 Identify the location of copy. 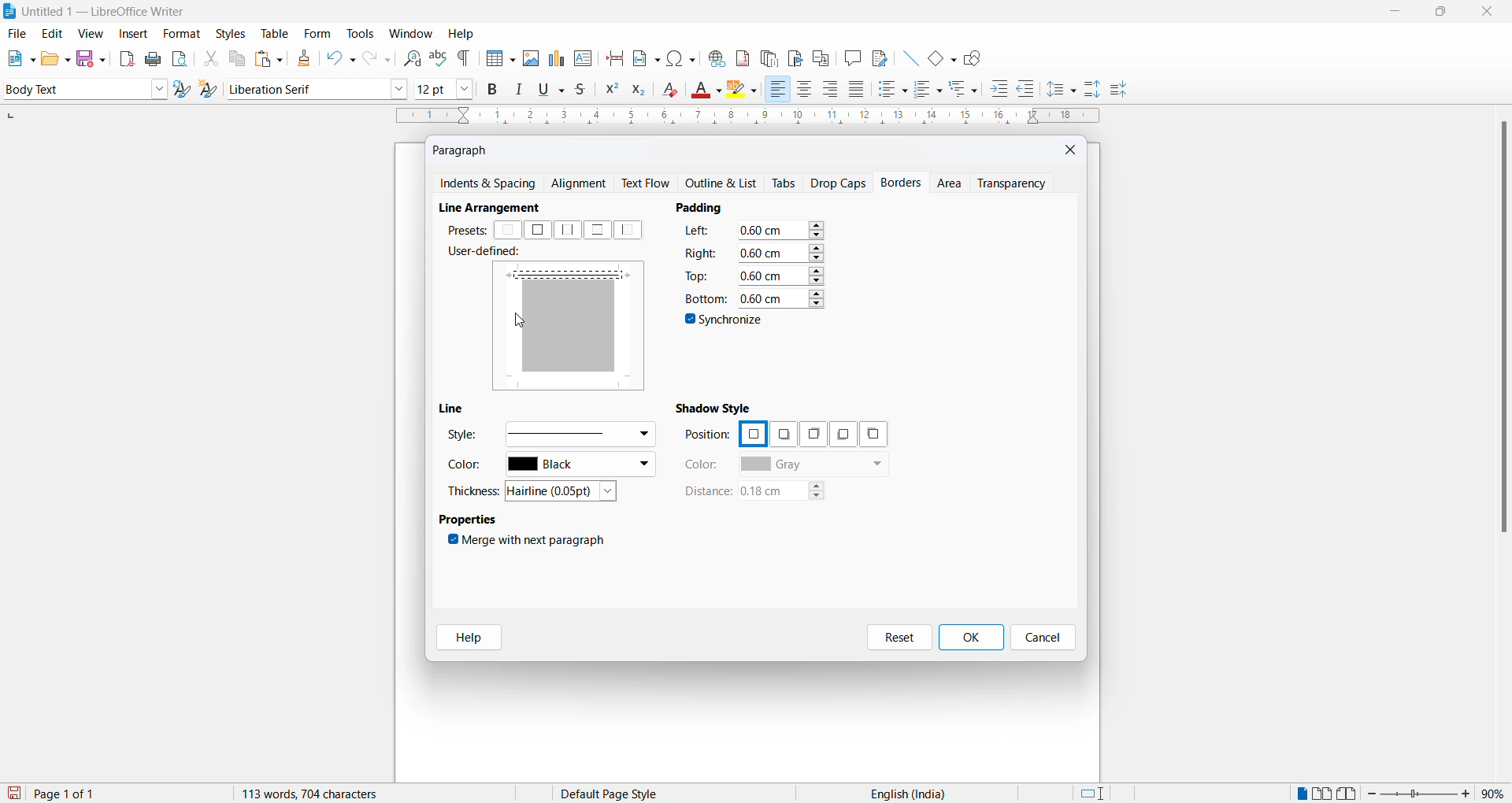
(235, 58).